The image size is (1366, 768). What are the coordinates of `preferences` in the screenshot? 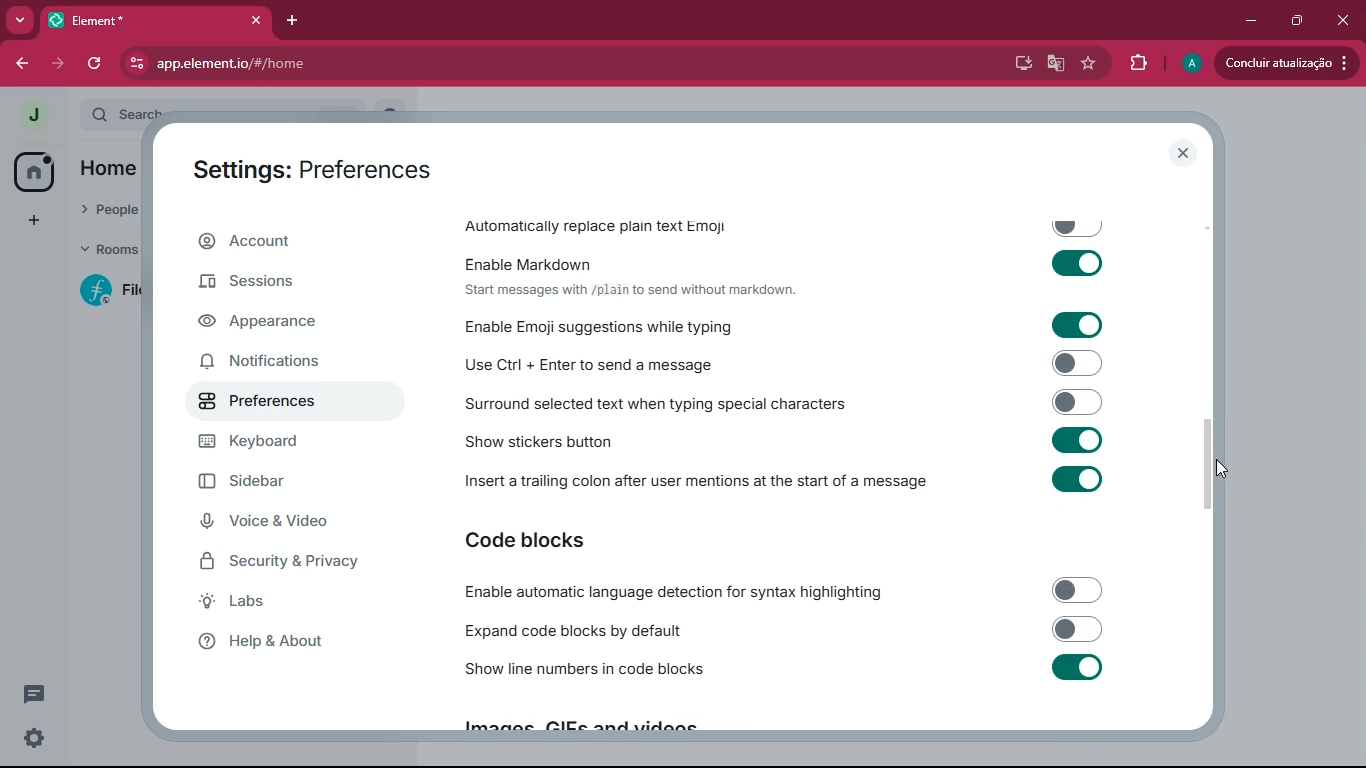 It's located at (292, 404).